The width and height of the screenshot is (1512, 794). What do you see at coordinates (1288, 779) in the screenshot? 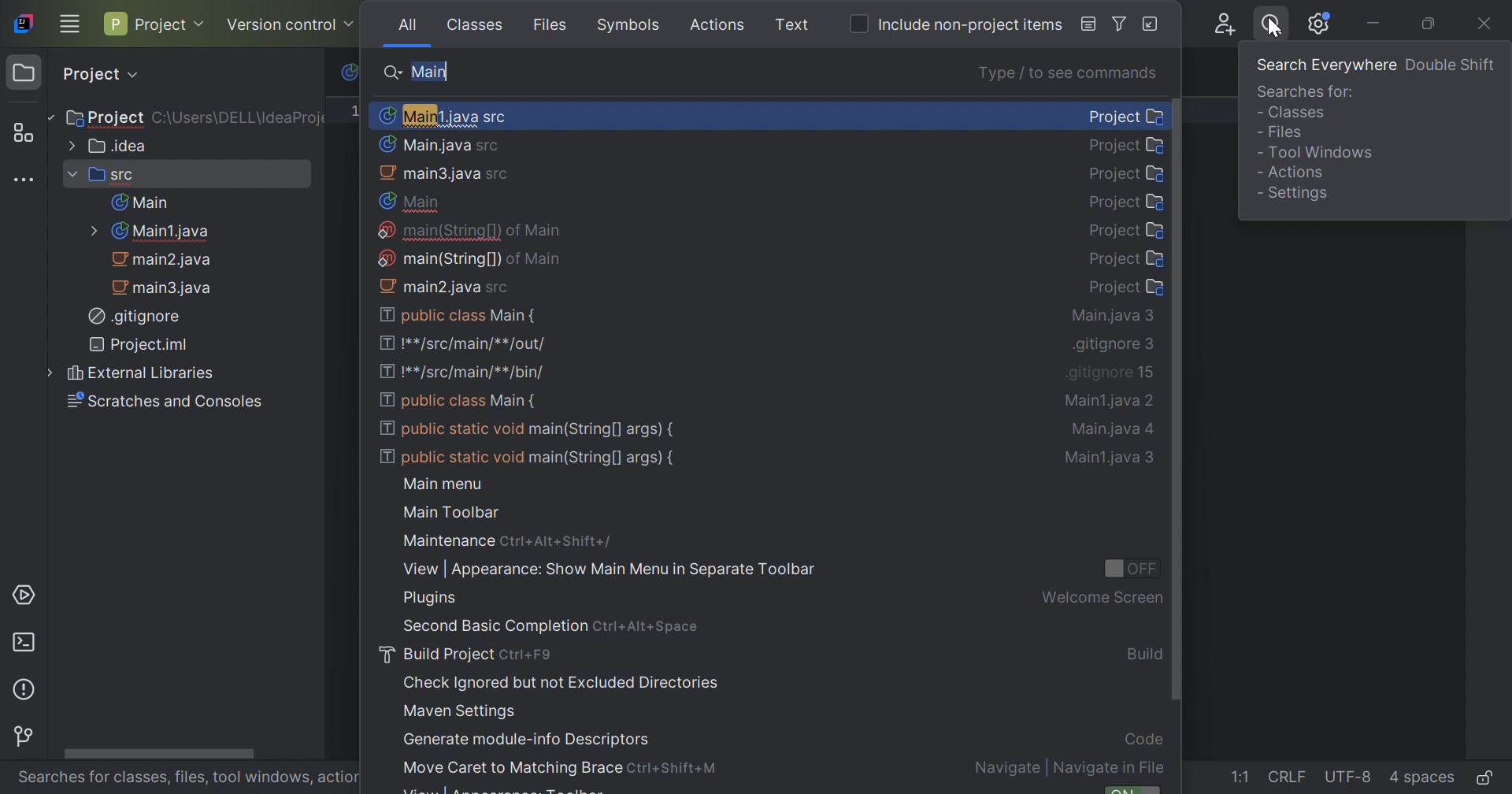
I see `CRLF` at bounding box center [1288, 779].